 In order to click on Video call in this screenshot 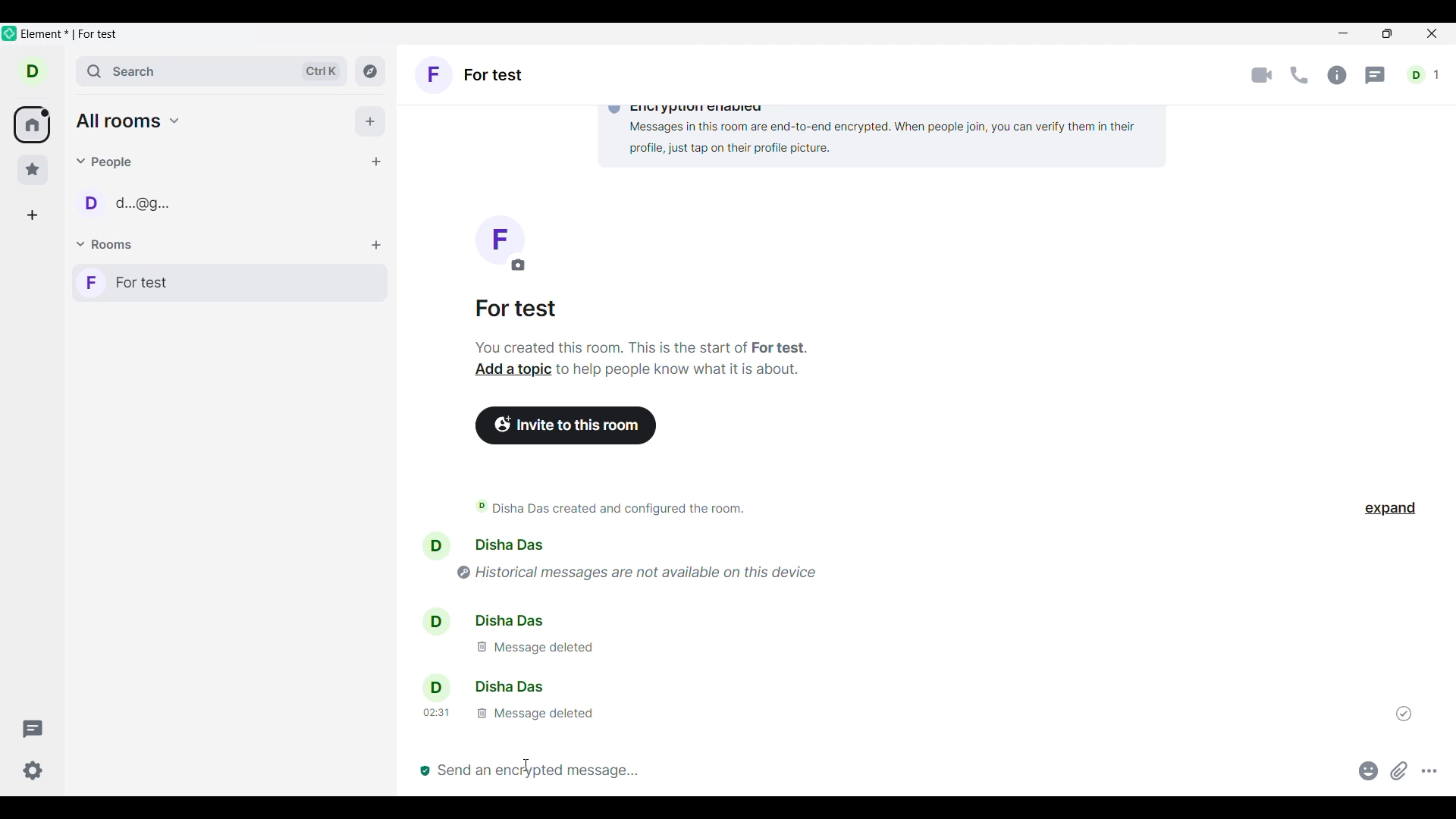, I will do `click(1262, 76)`.